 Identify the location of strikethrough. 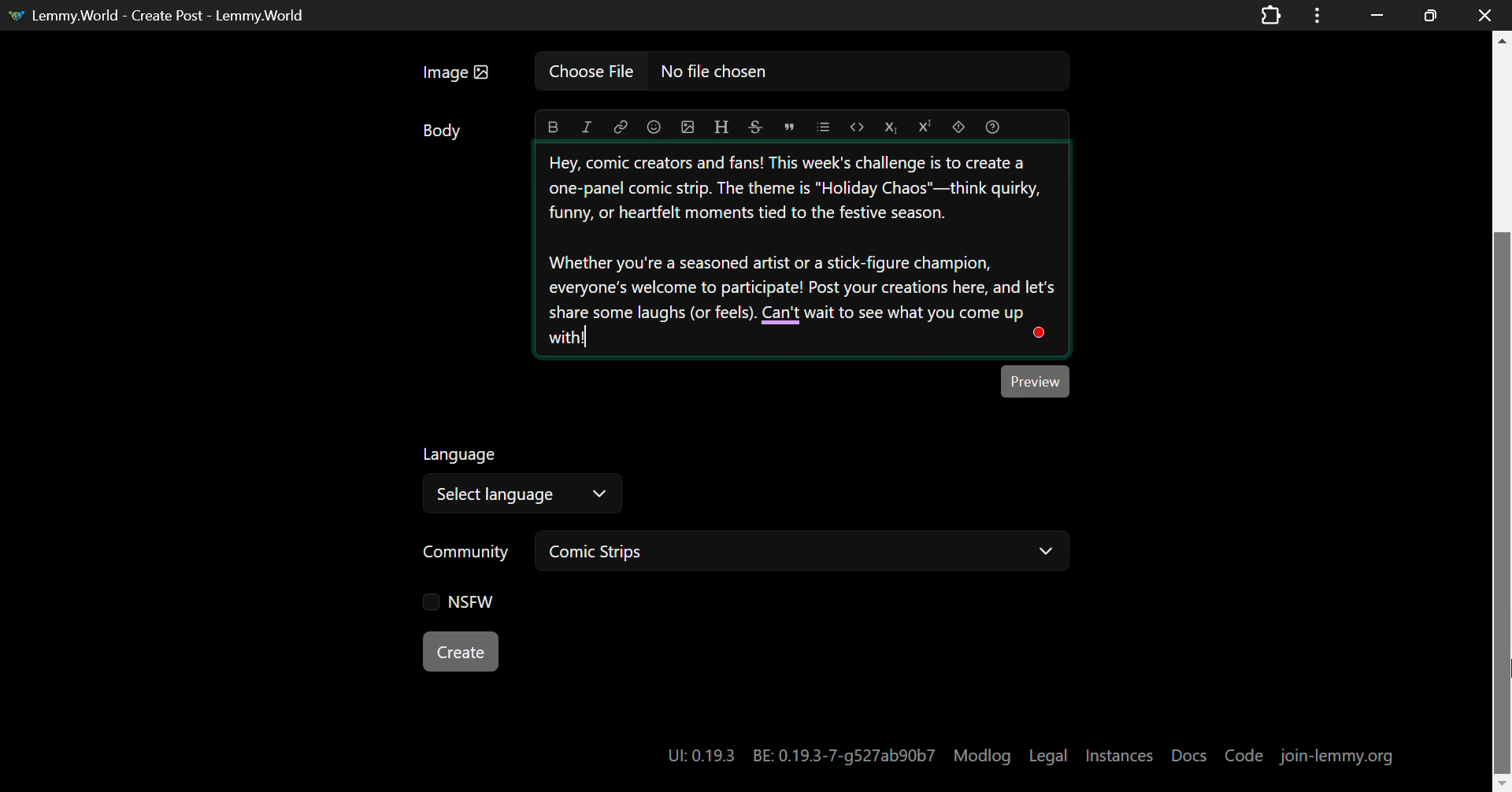
(755, 128).